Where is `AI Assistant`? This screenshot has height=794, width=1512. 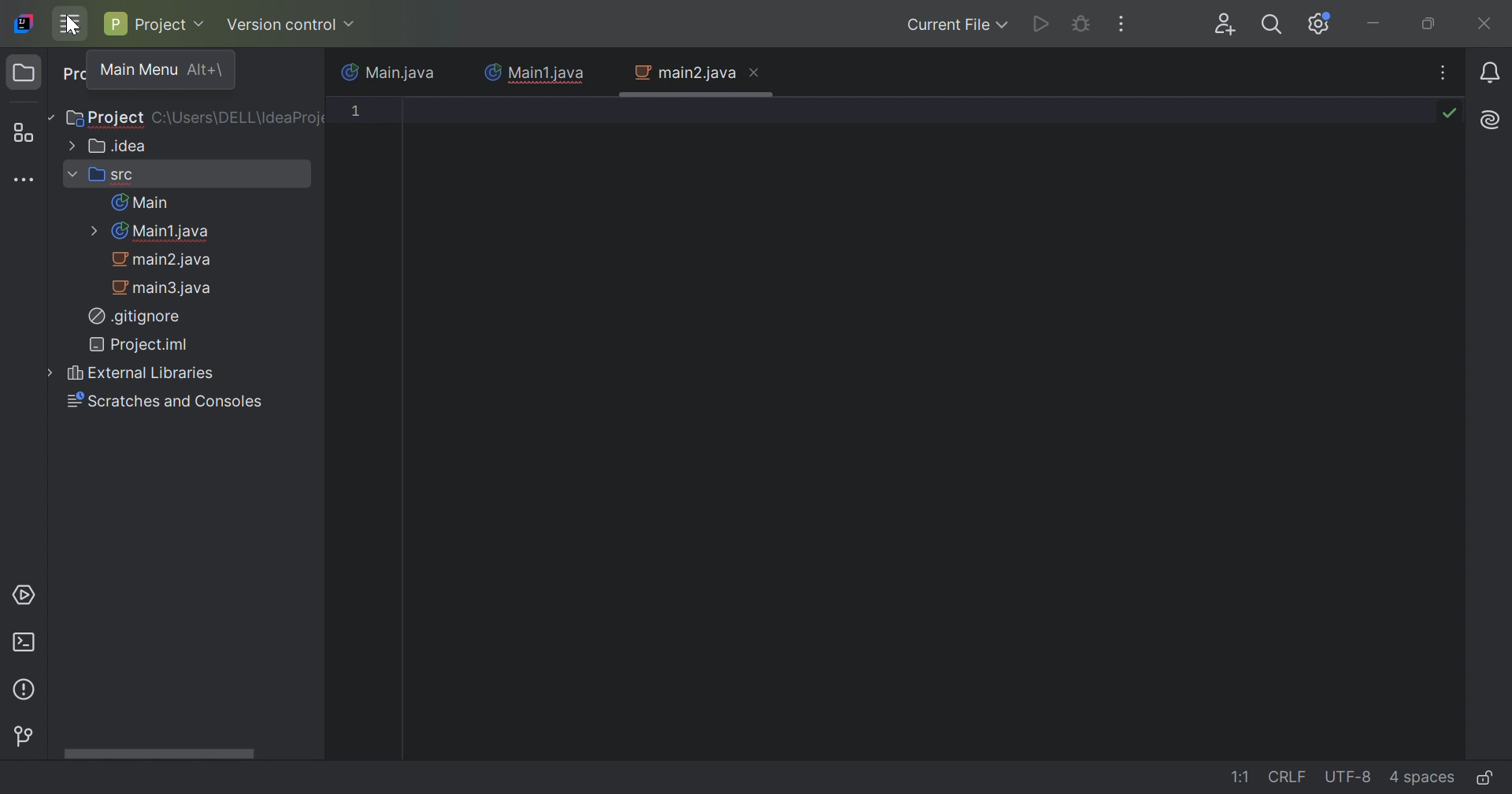 AI Assistant is located at coordinates (1491, 121).